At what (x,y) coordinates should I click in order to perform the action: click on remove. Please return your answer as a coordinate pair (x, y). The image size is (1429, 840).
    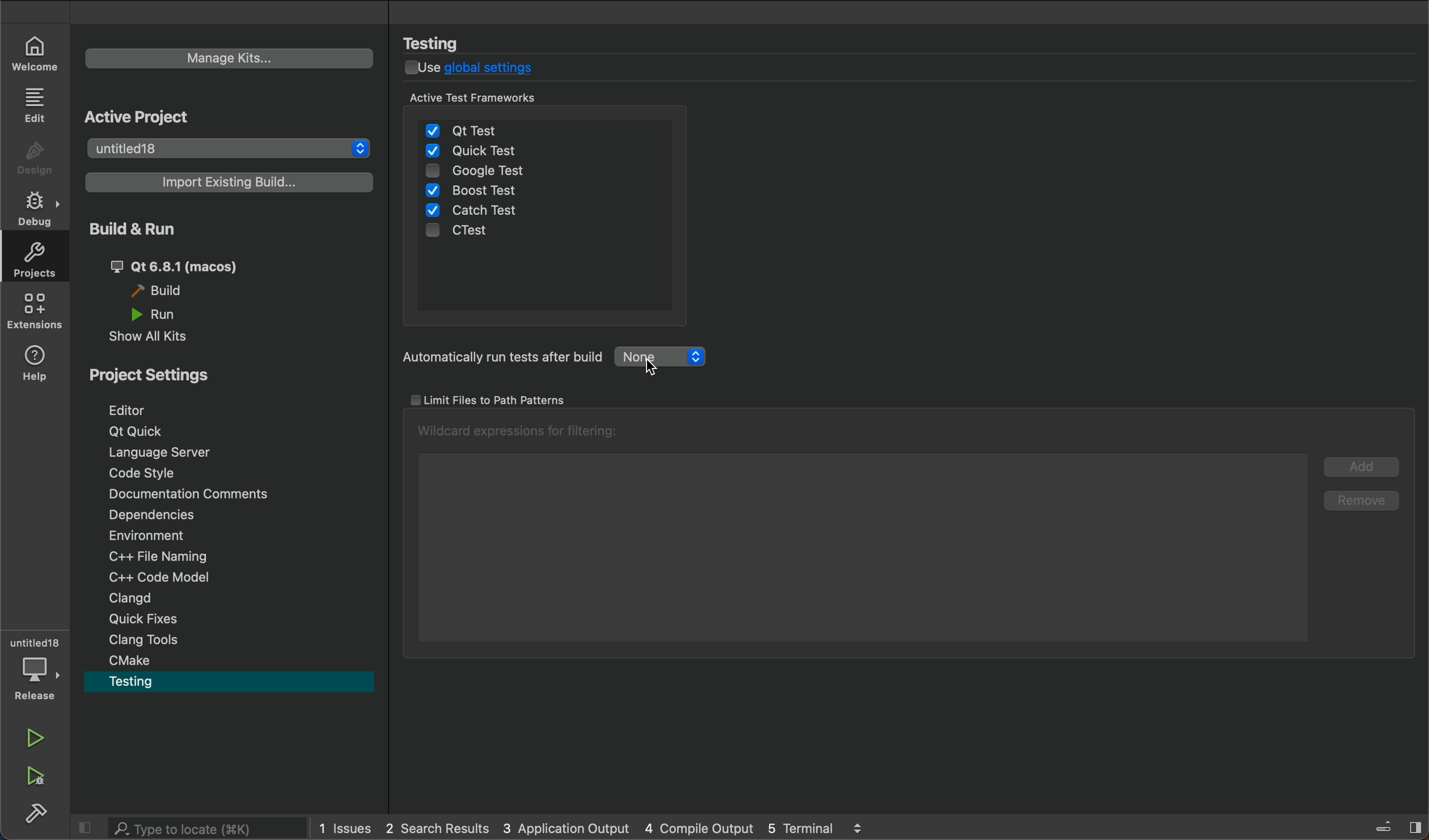
    Looking at the image, I should click on (1362, 499).